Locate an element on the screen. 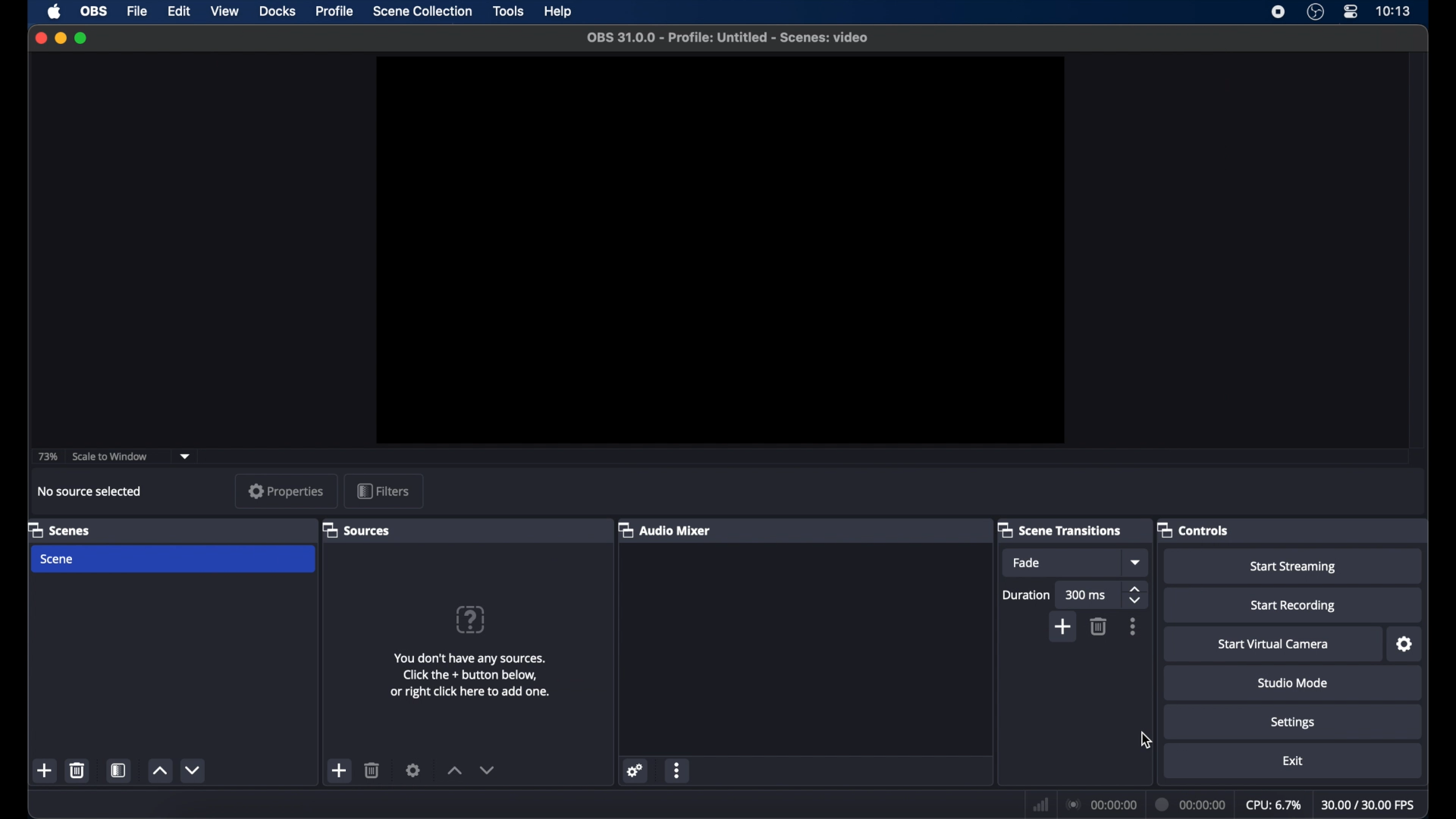  add sources information is located at coordinates (472, 675).